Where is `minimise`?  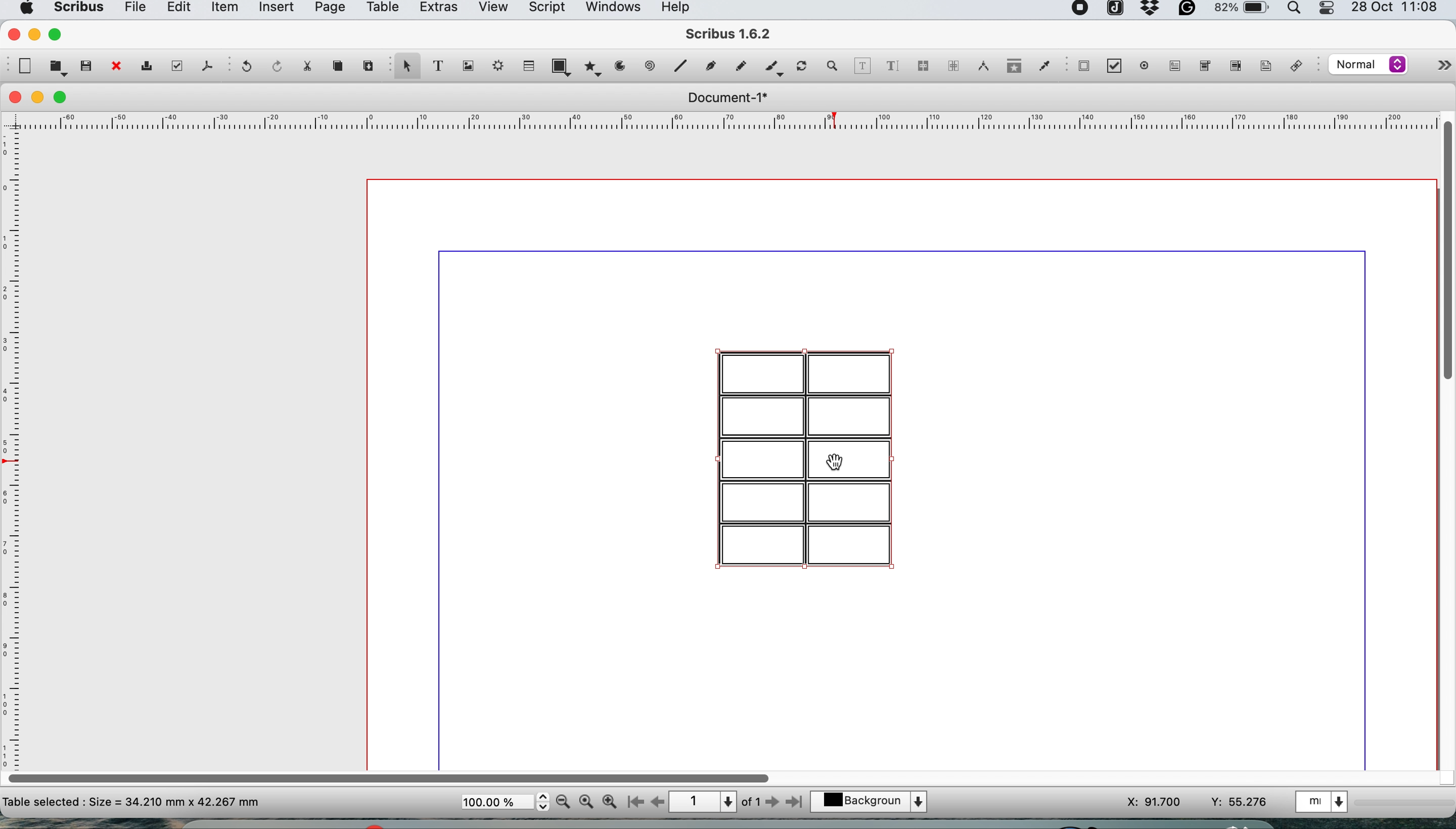
minimise is located at coordinates (34, 34).